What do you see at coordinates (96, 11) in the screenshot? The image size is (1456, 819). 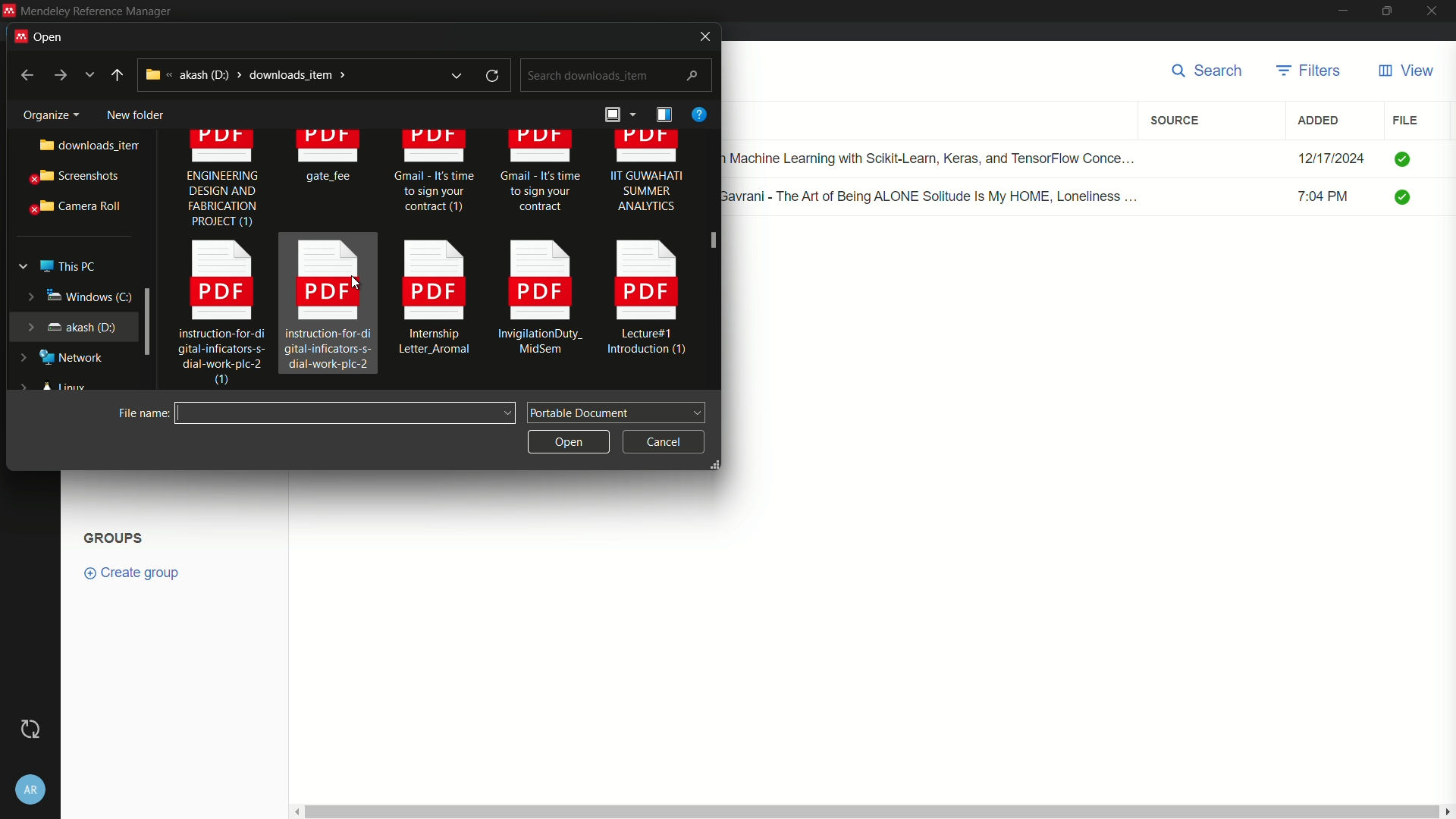 I see `Mendeley Reference Manager` at bounding box center [96, 11].